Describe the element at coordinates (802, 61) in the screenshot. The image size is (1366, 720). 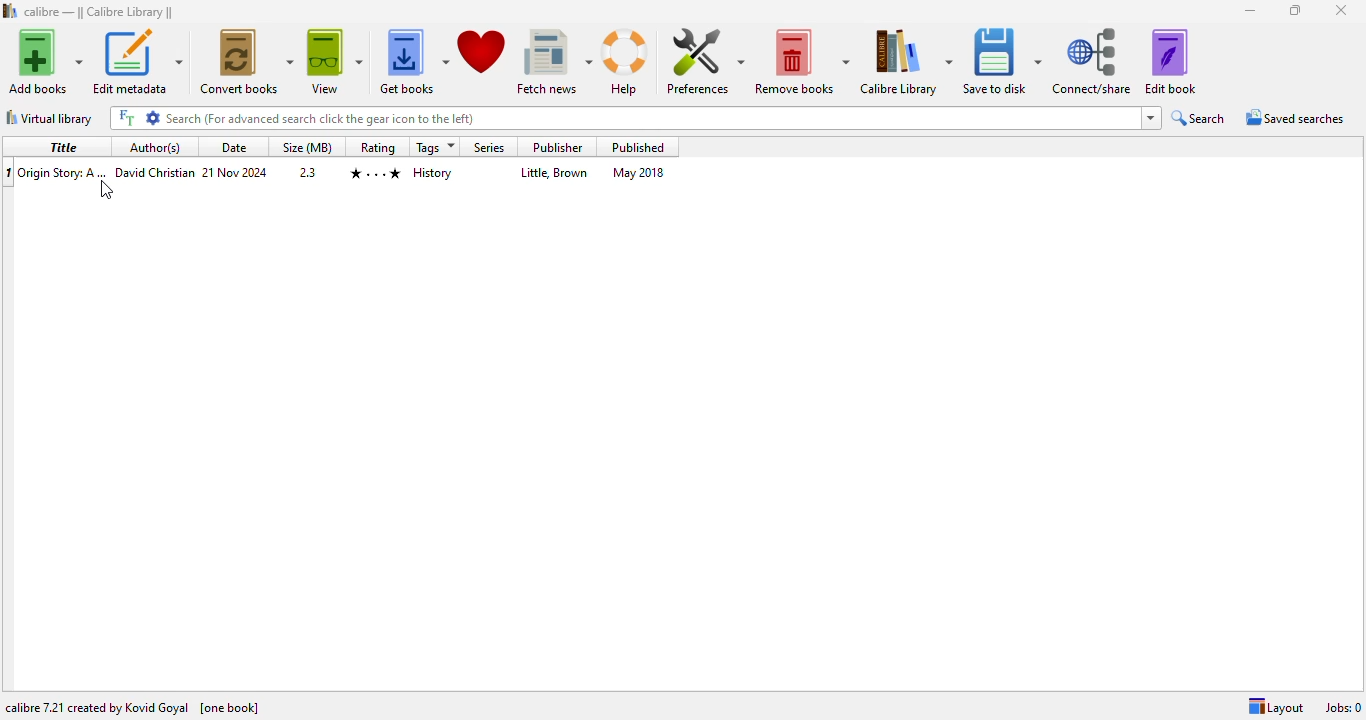
I see `remove books` at that location.